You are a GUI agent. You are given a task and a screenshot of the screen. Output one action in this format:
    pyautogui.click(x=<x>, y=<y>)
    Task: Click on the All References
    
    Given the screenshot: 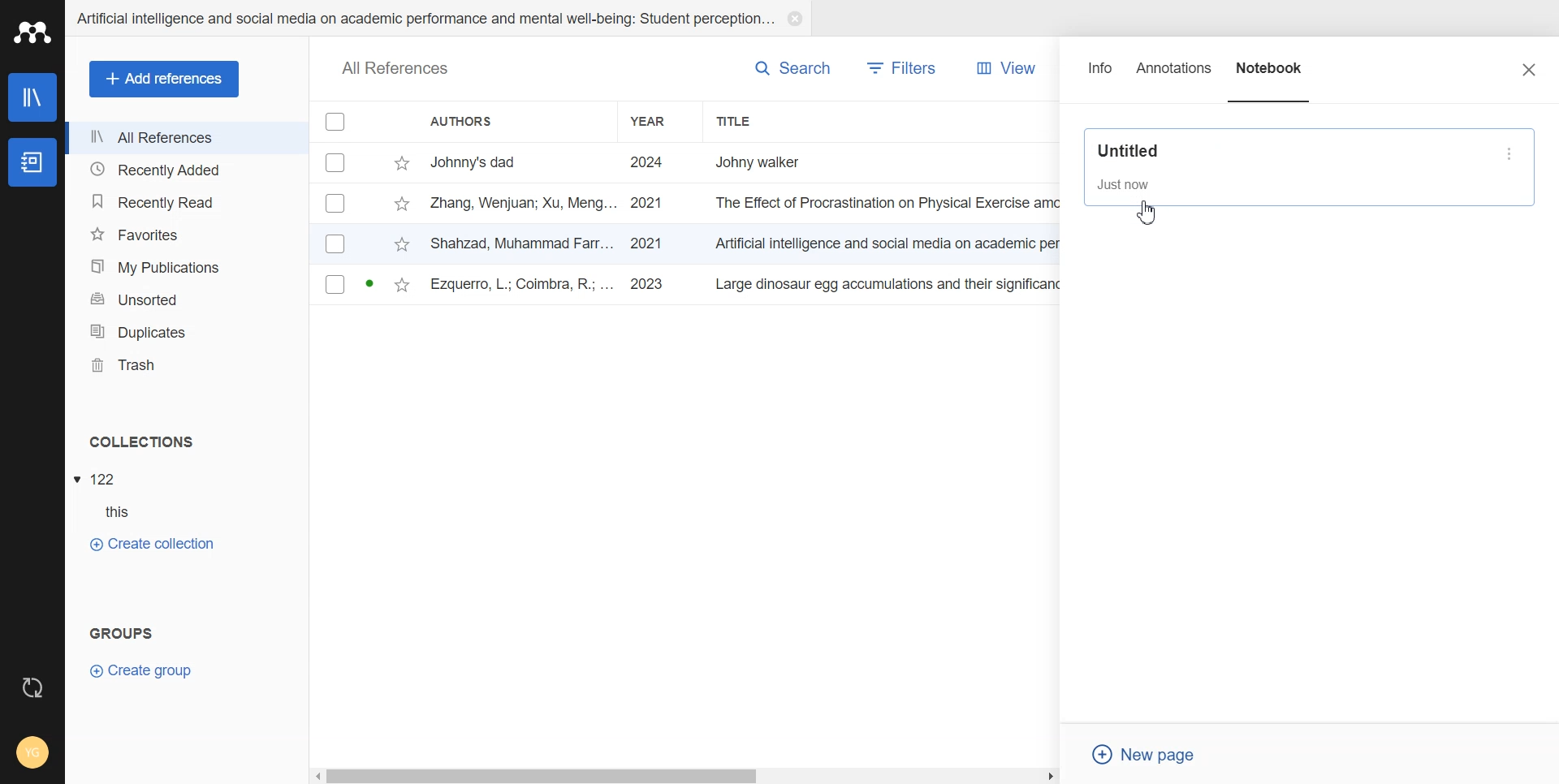 What is the action you would take?
    pyautogui.click(x=187, y=138)
    